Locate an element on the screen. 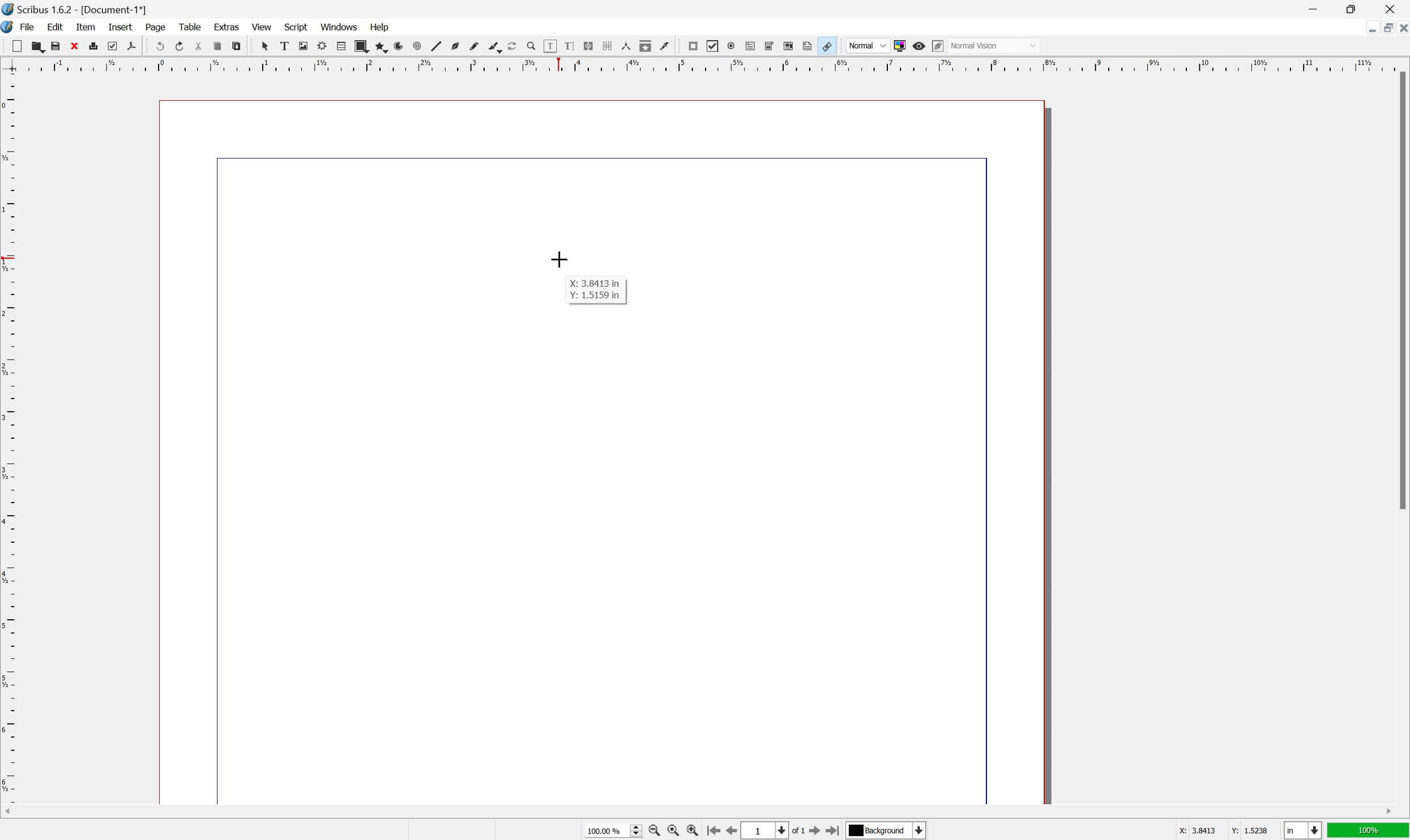  bezier curve is located at coordinates (455, 46).